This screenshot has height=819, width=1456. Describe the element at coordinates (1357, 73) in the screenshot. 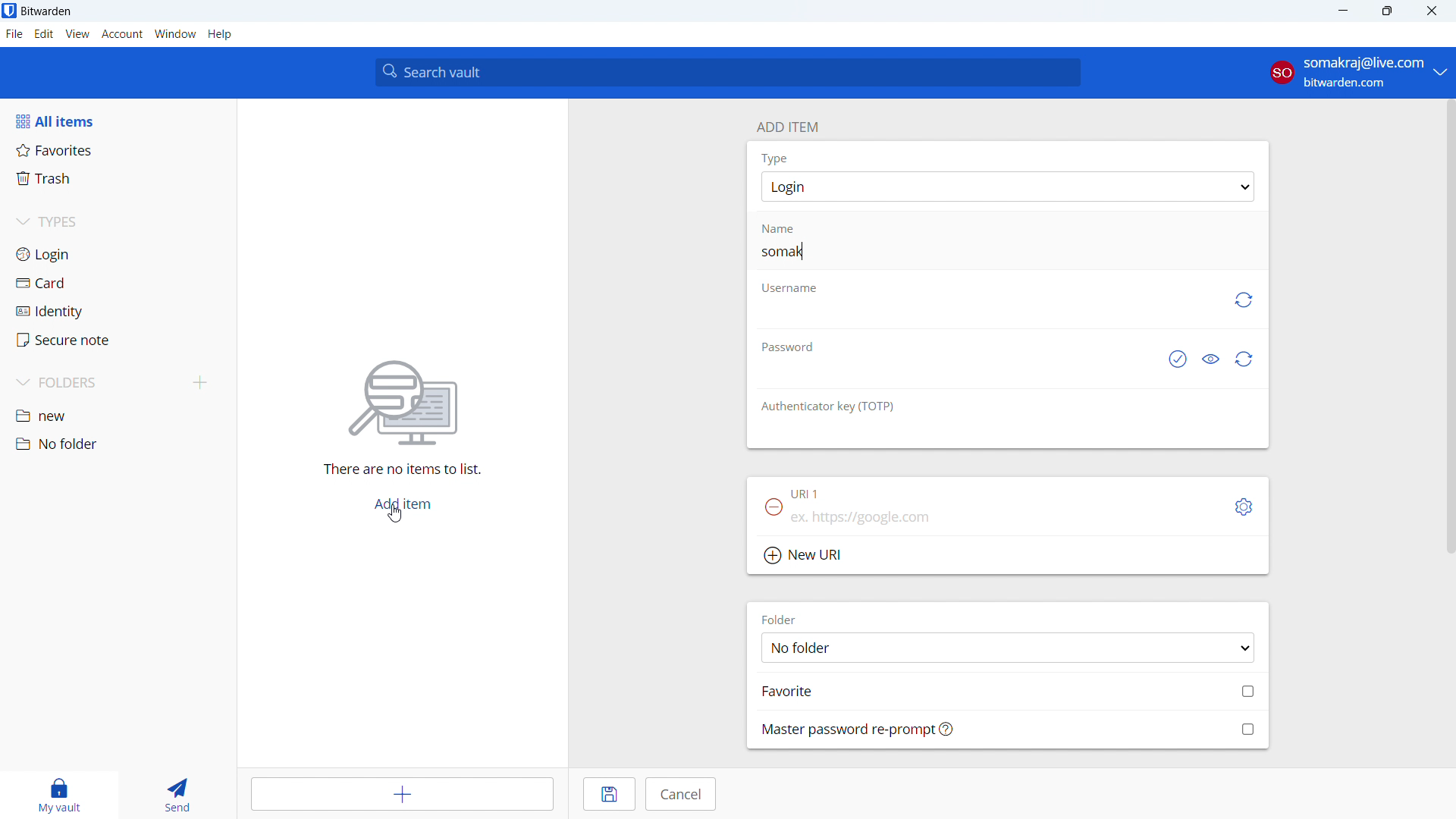

I see `account` at that location.